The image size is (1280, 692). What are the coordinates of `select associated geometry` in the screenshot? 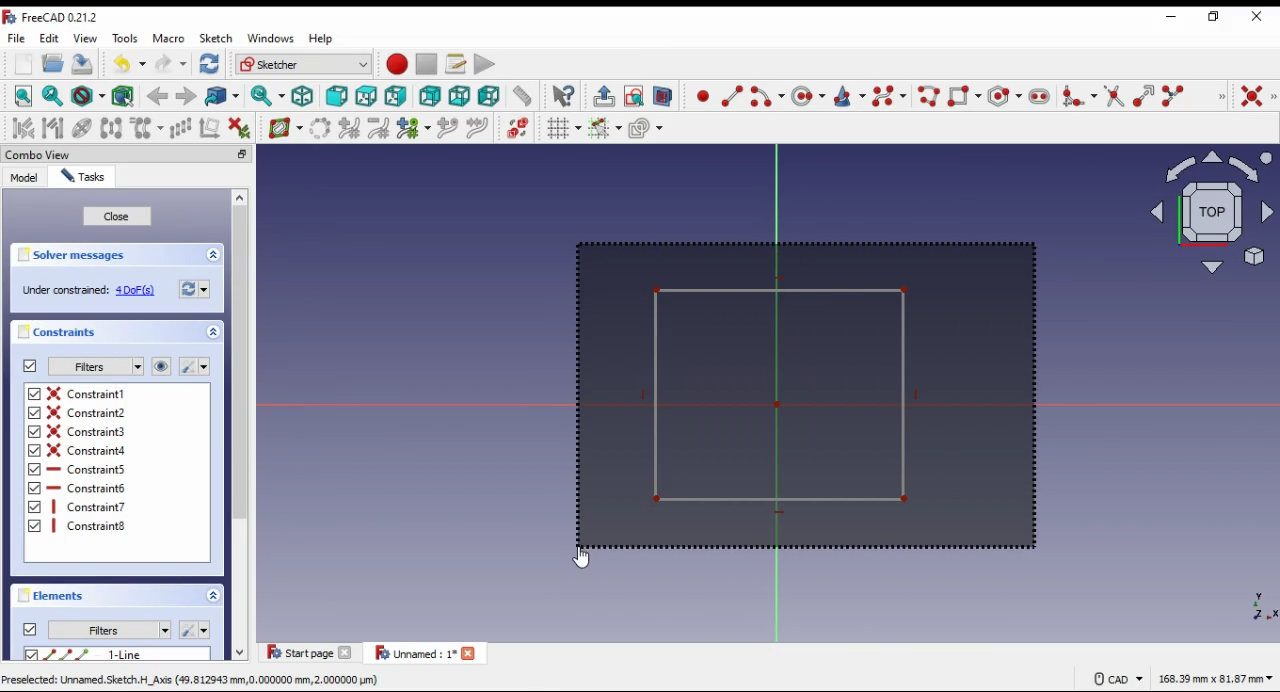 It's located at (53, 128).